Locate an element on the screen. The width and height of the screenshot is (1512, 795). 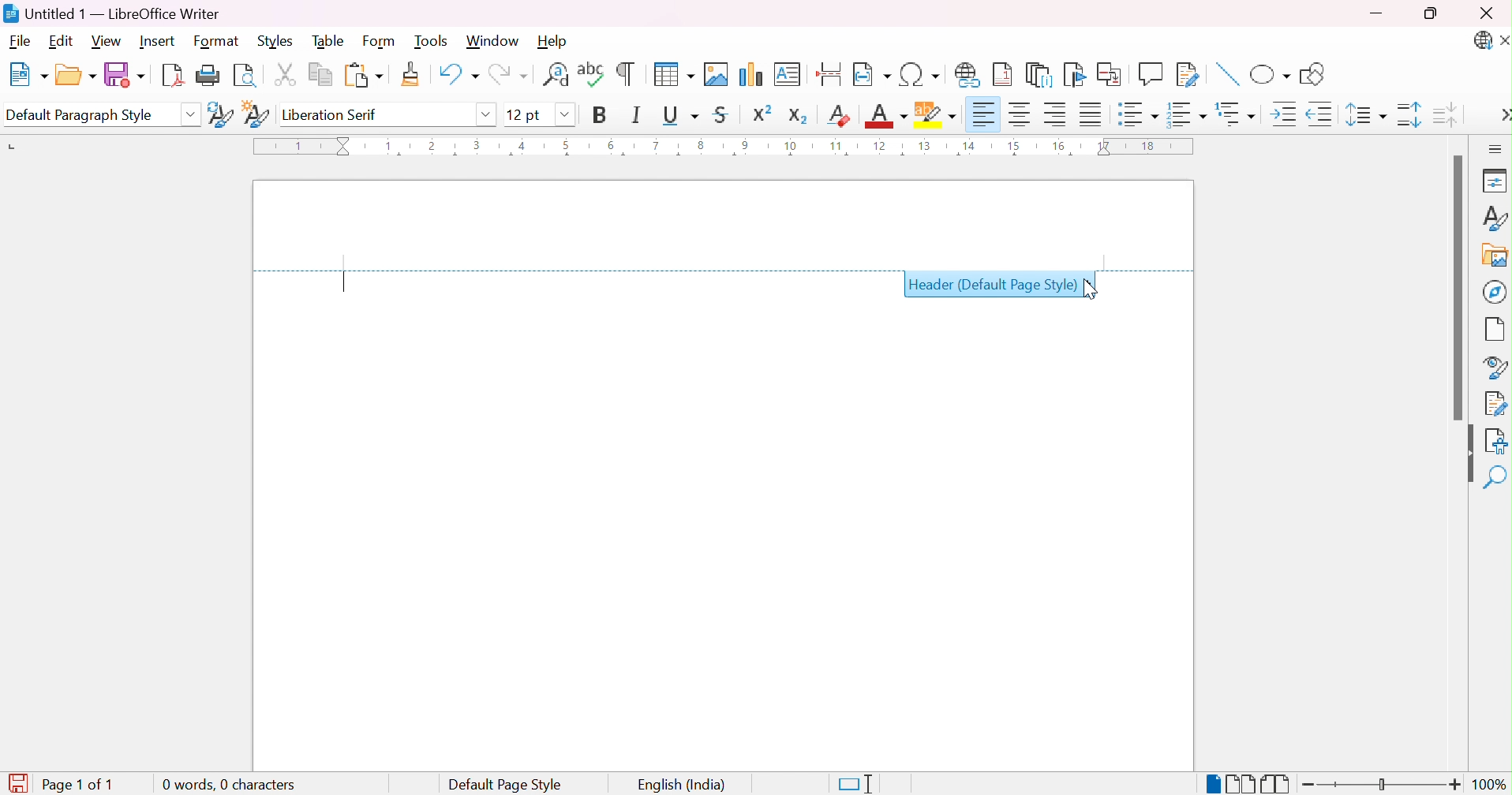
Redo is located at coordinates (512, 74).